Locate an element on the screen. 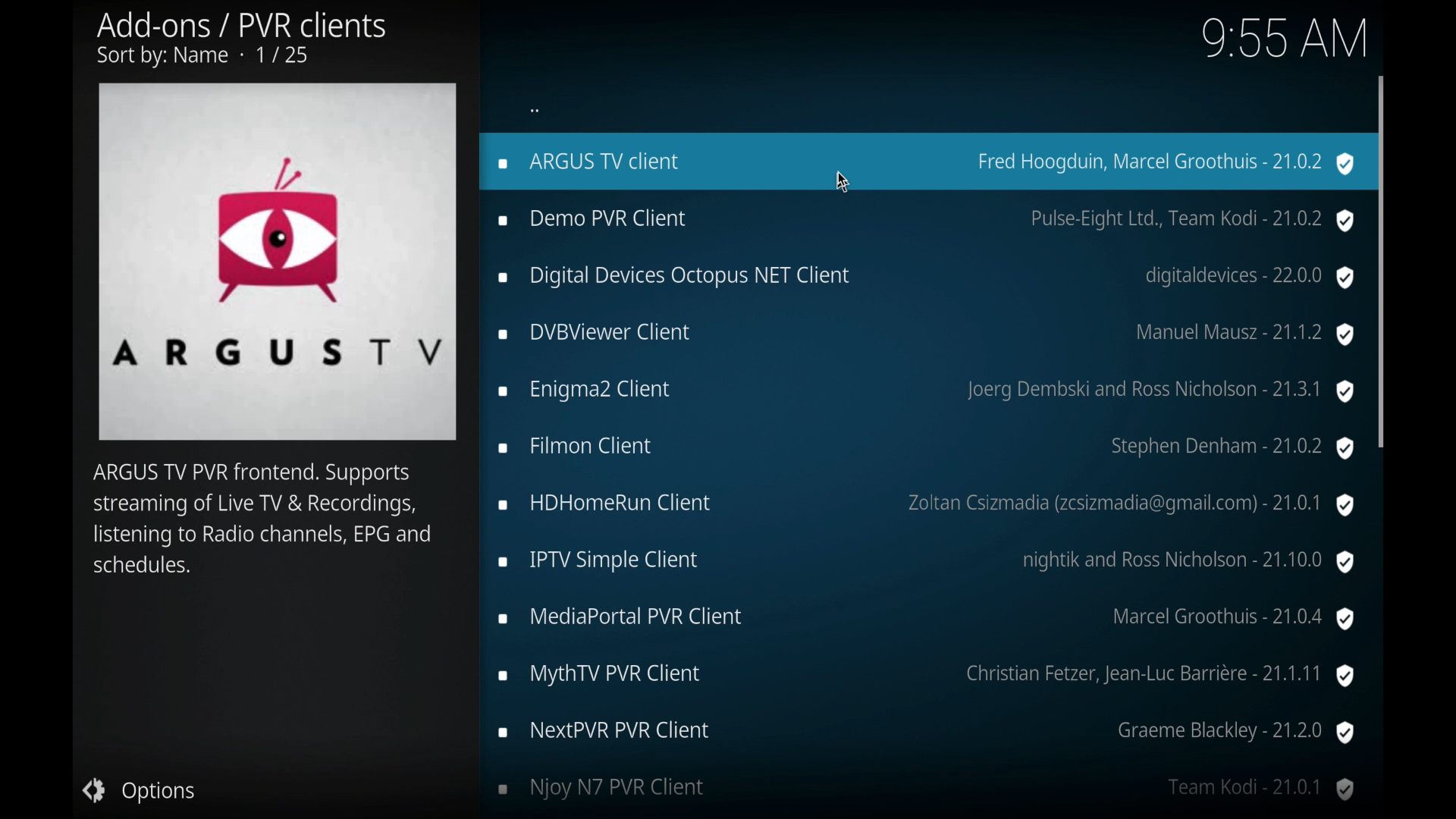 Image resolution: width=1456 pixels, height=819 pixels. nextpvr is located at coordinates (924, 733).